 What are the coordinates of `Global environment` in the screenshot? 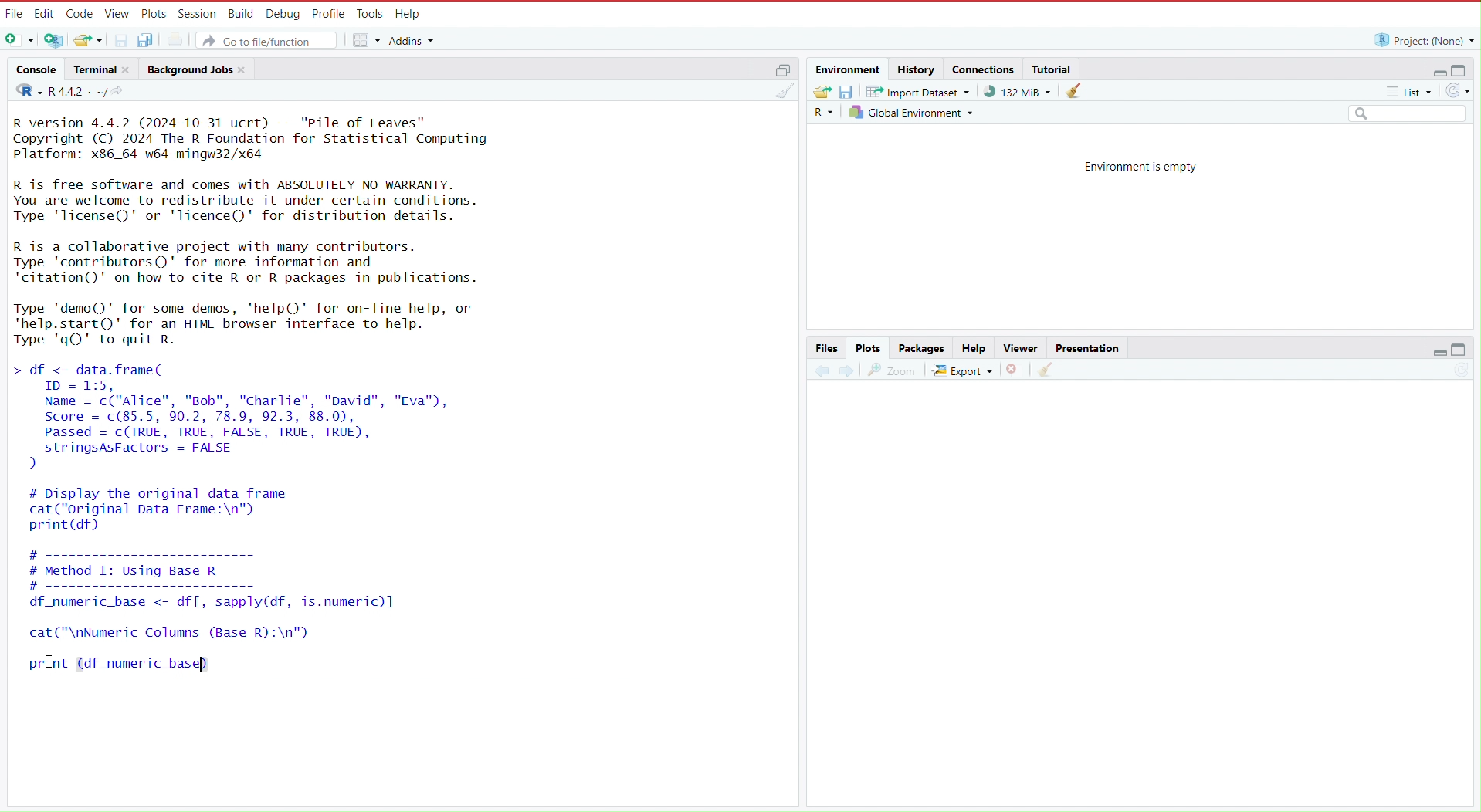 It's located at (912, 113).